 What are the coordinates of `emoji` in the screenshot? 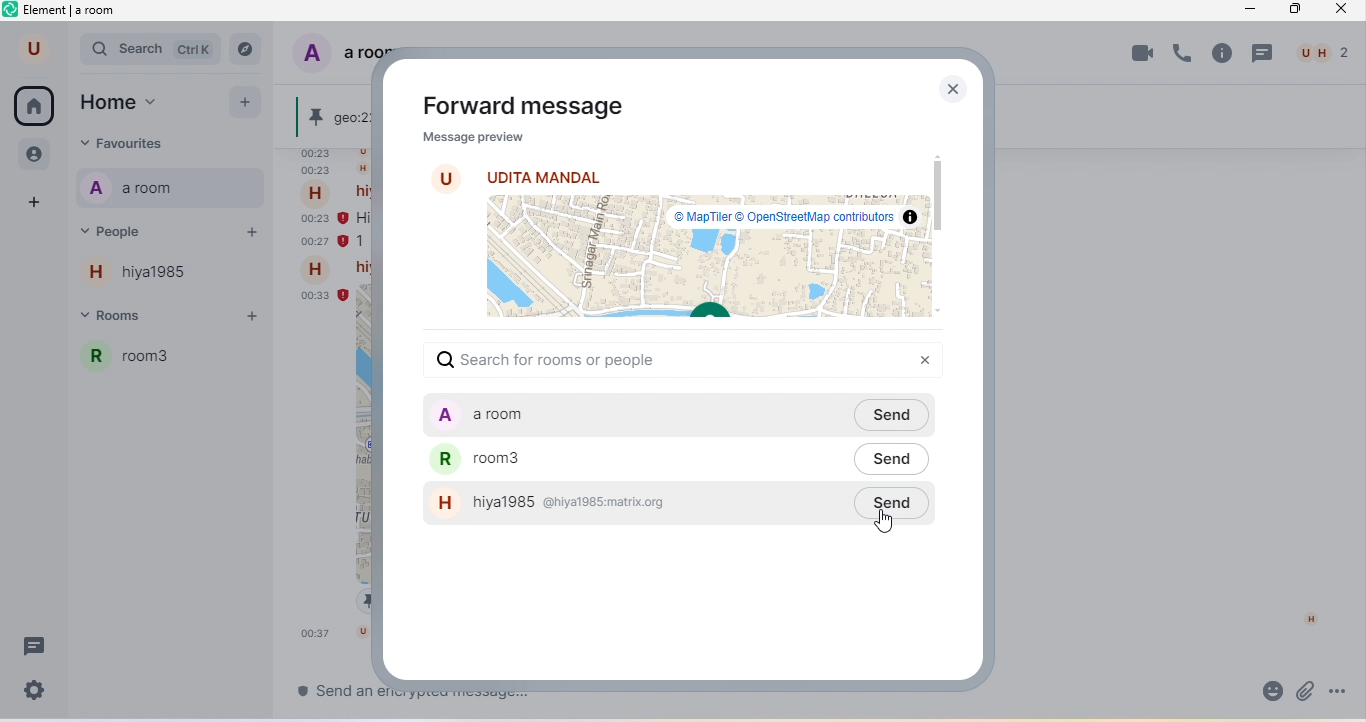 It's located at (1267, 692).